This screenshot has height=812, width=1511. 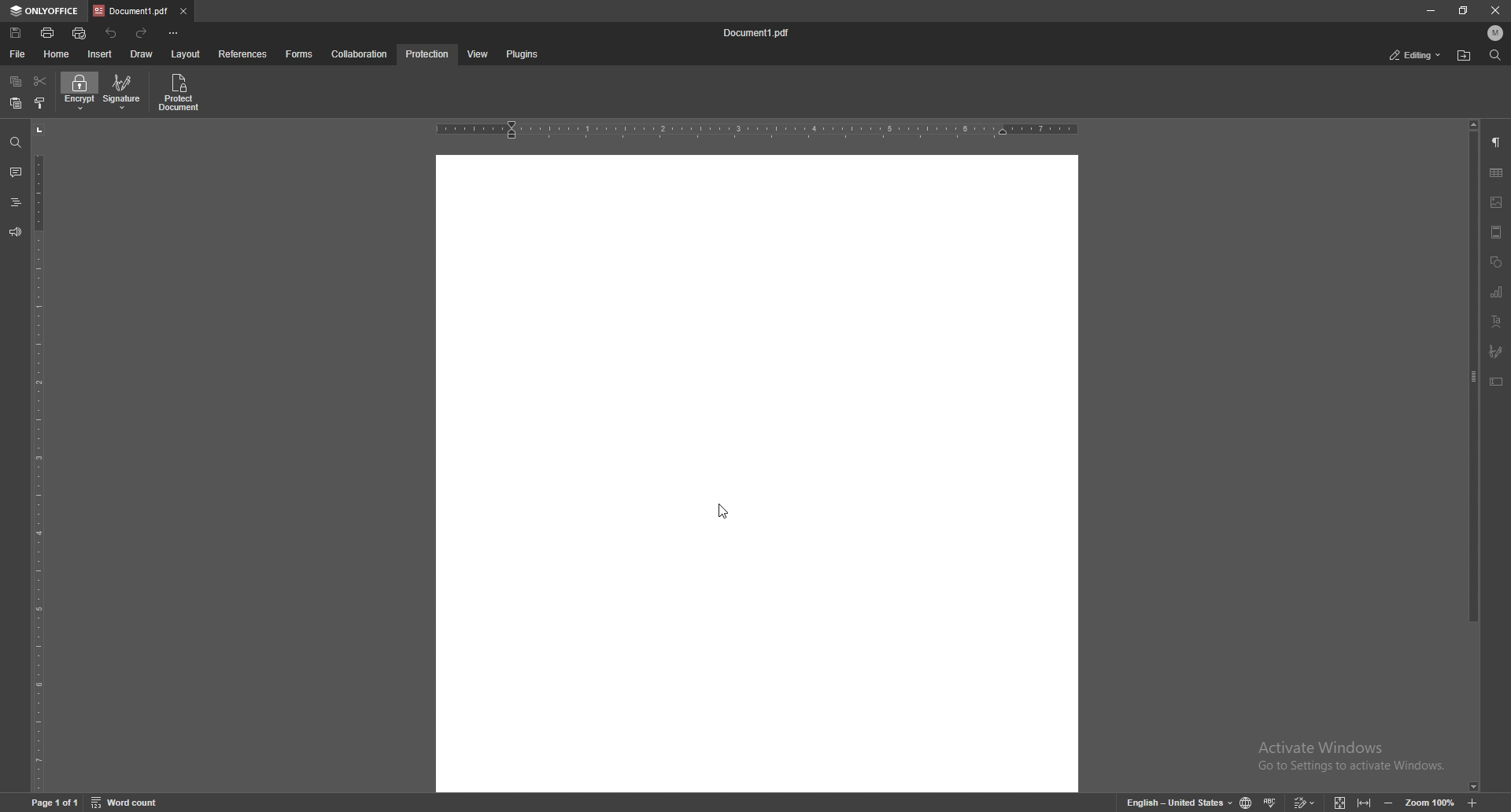 I want to click on change doc language, so click(x=1247, y=802).